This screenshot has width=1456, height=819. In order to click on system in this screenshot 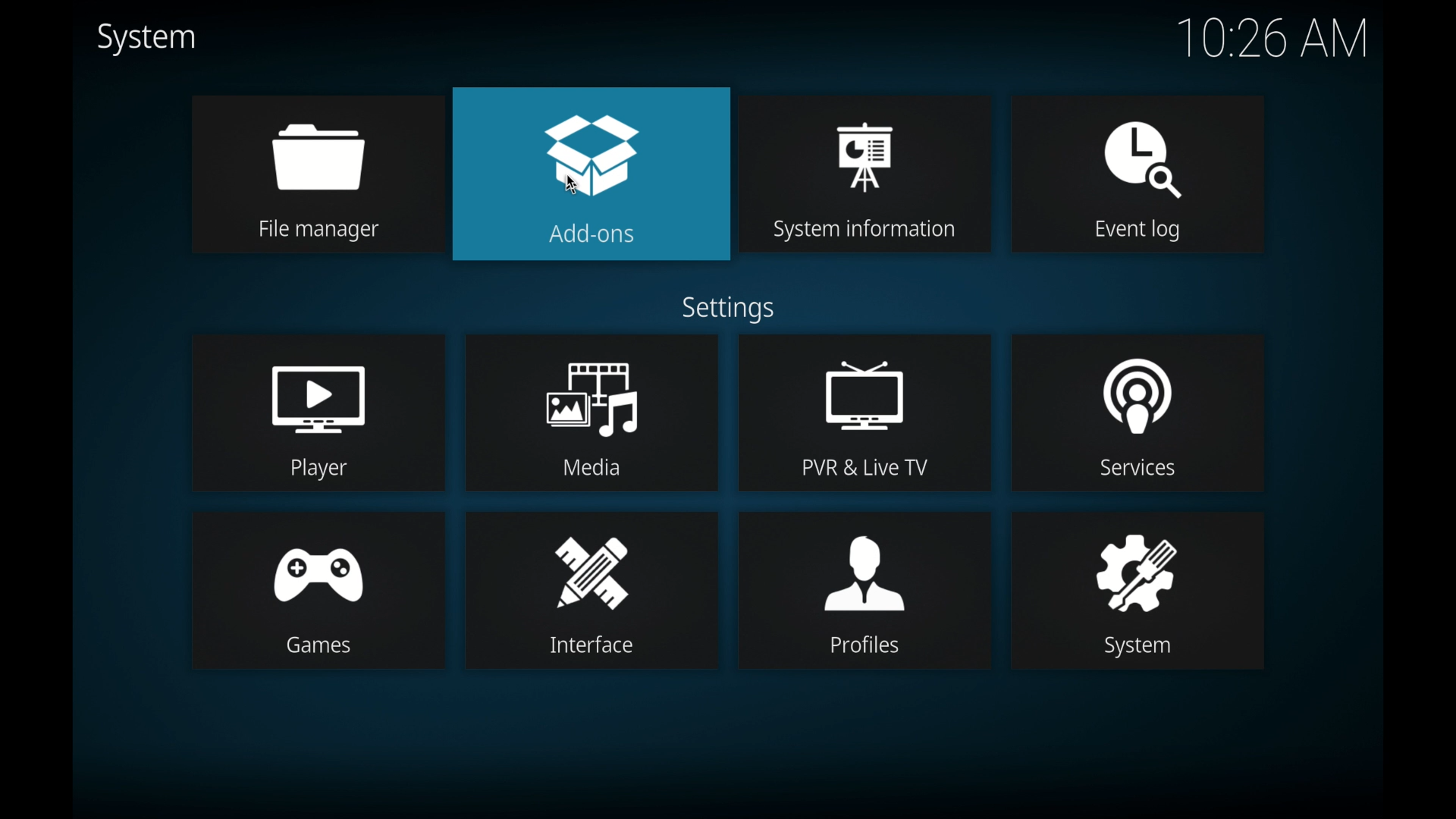, I will do `click(146, 39)`.